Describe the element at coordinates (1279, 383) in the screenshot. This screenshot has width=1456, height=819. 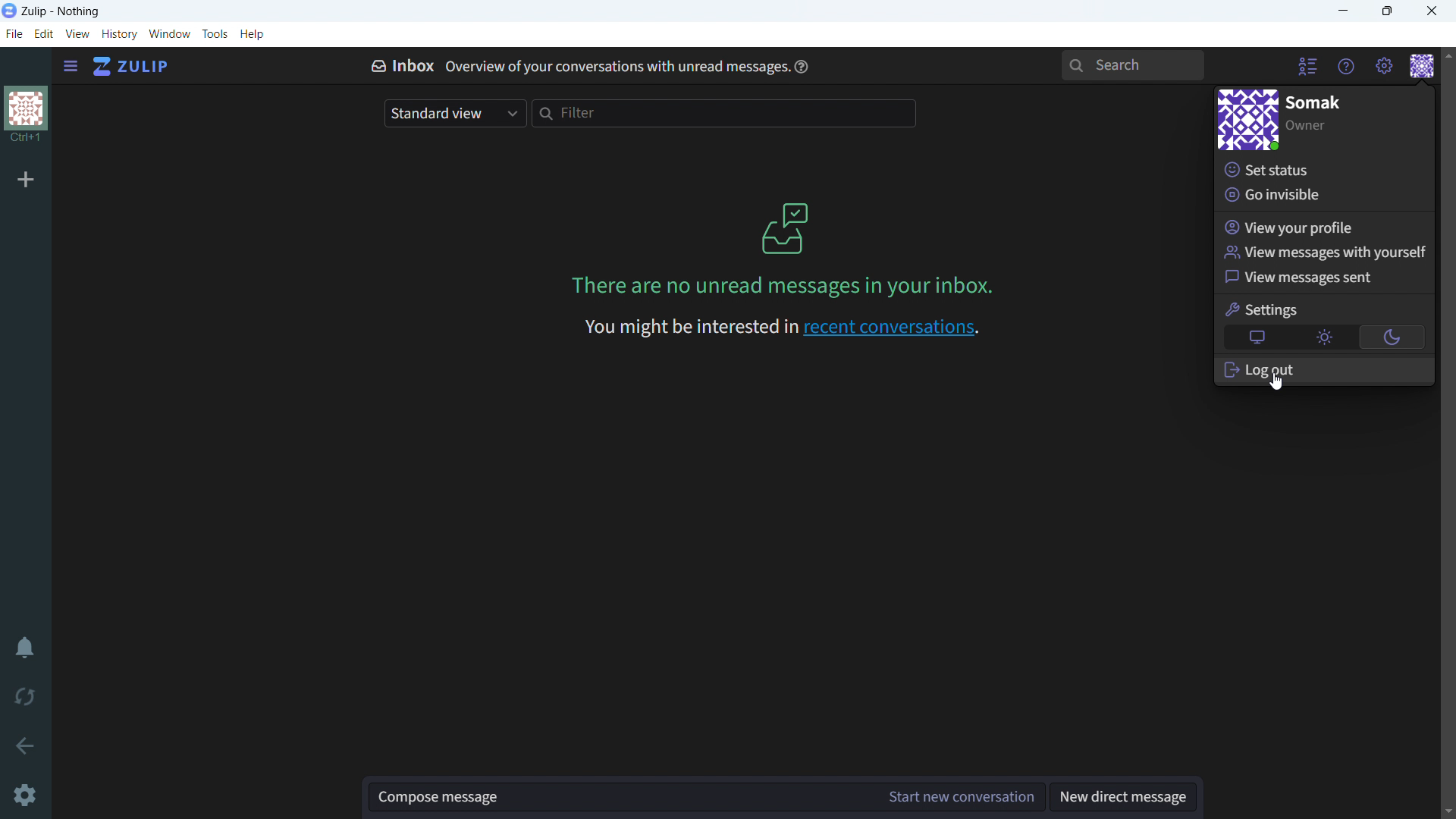
I see `cursor` at that location.